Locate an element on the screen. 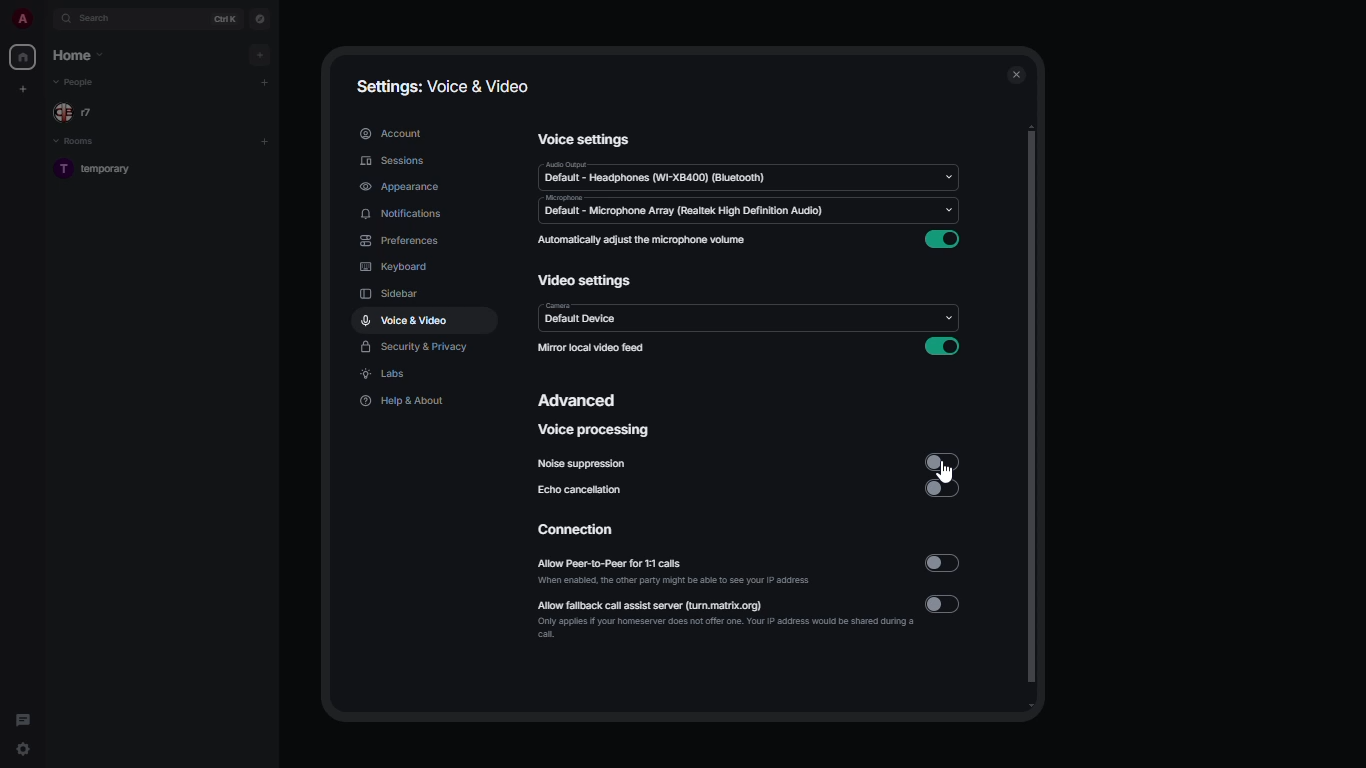  profile is located at coordinates (24, 18).